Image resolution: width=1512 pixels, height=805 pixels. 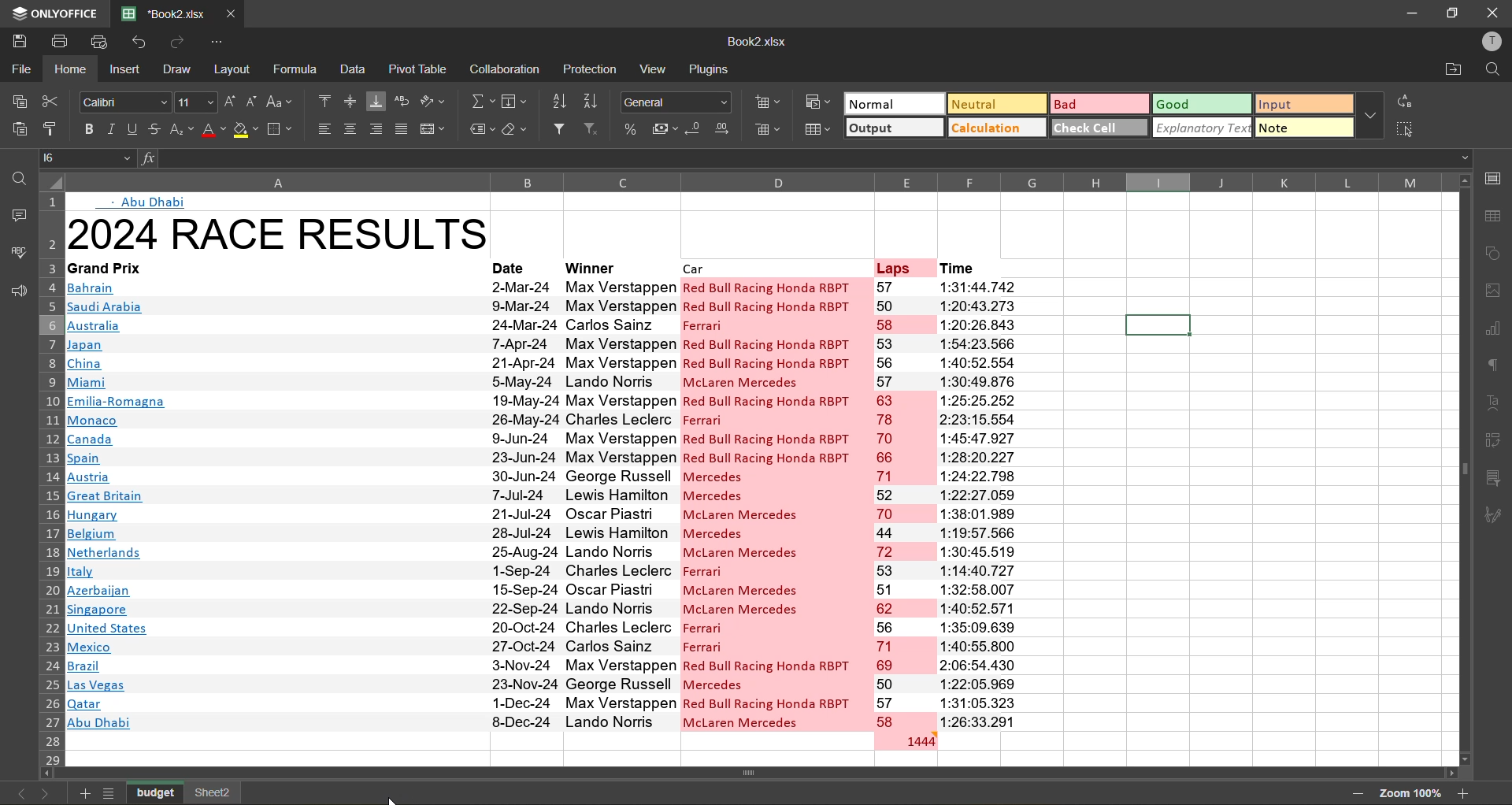 I want to click on undo, so click(x=143, y=43).